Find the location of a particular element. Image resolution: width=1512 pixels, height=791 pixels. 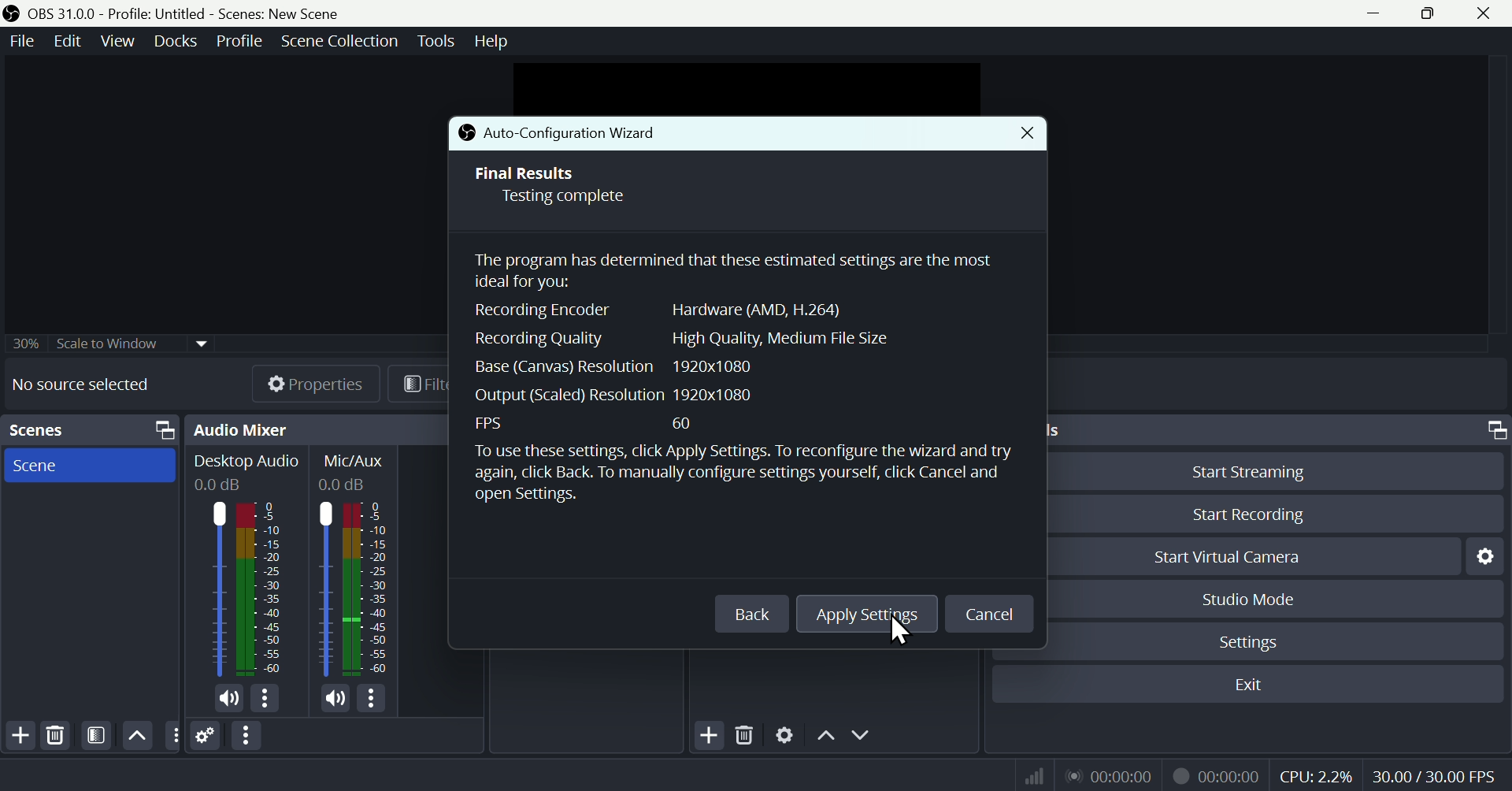

Scene collection is located at coordinates (343, 43).